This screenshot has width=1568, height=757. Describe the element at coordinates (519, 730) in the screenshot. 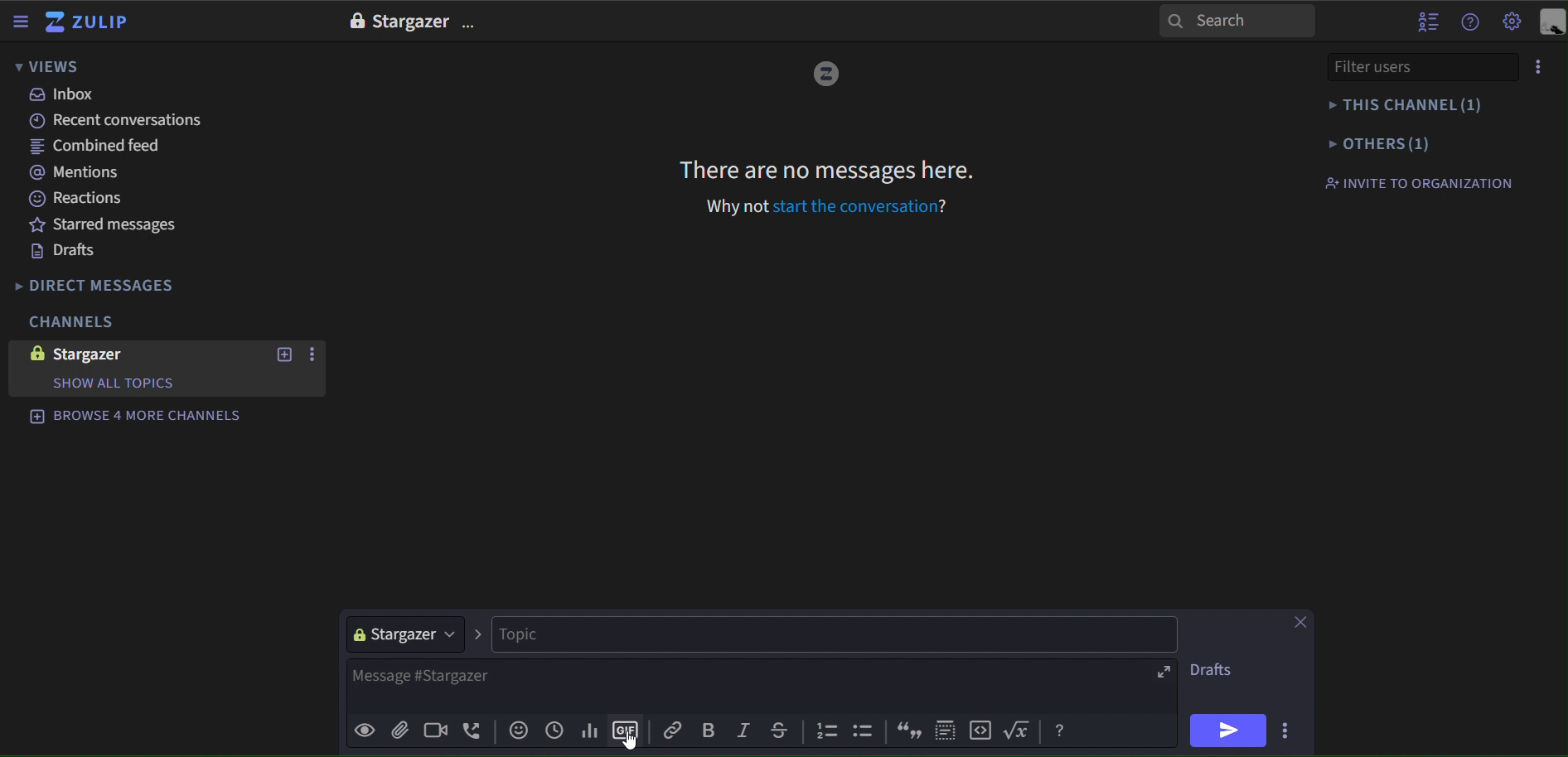

I see `add emoji` at that location.